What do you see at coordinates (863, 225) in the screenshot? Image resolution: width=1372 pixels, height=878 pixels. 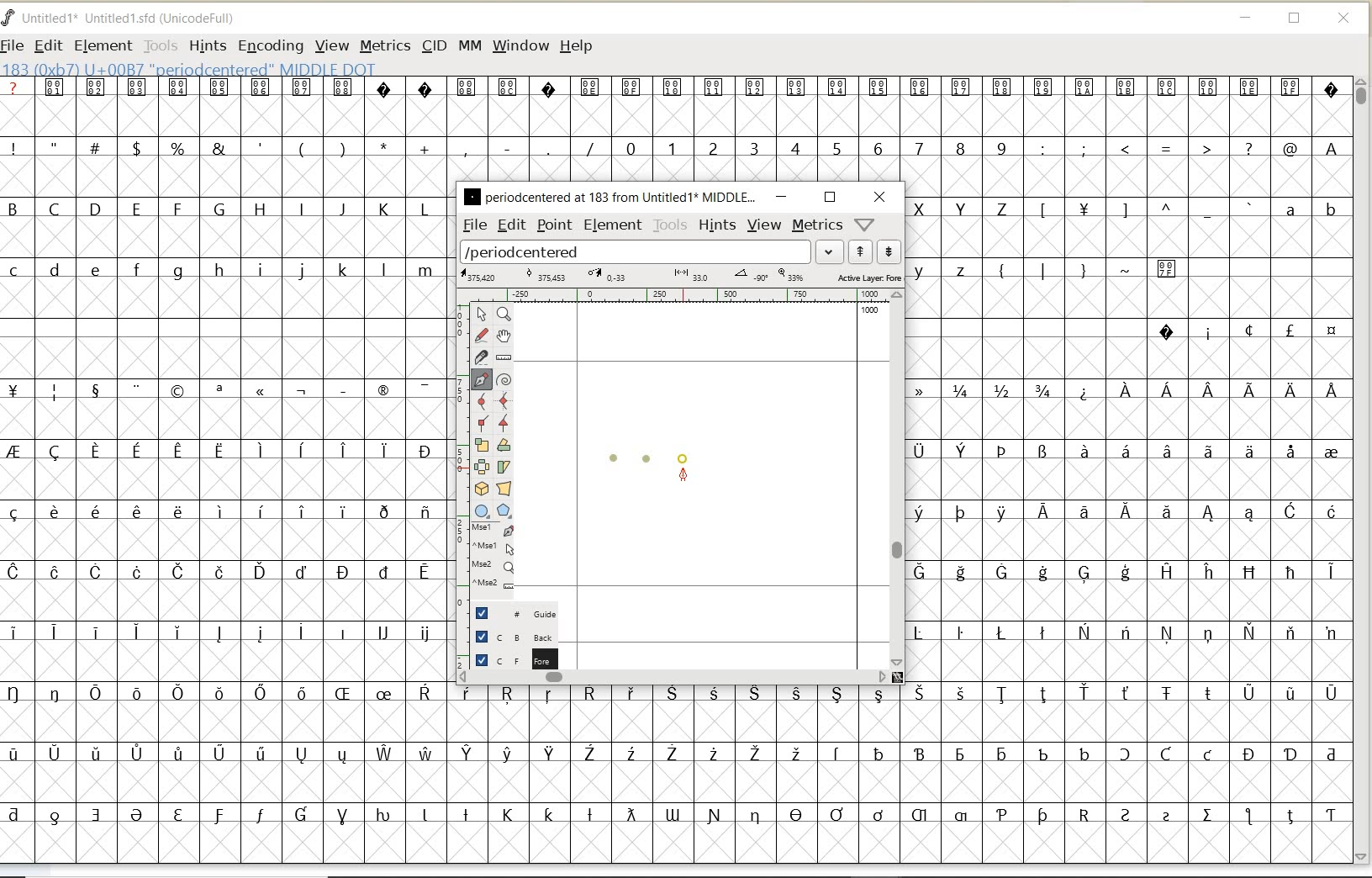 I see `help/window` at bounding box center [863, 225].